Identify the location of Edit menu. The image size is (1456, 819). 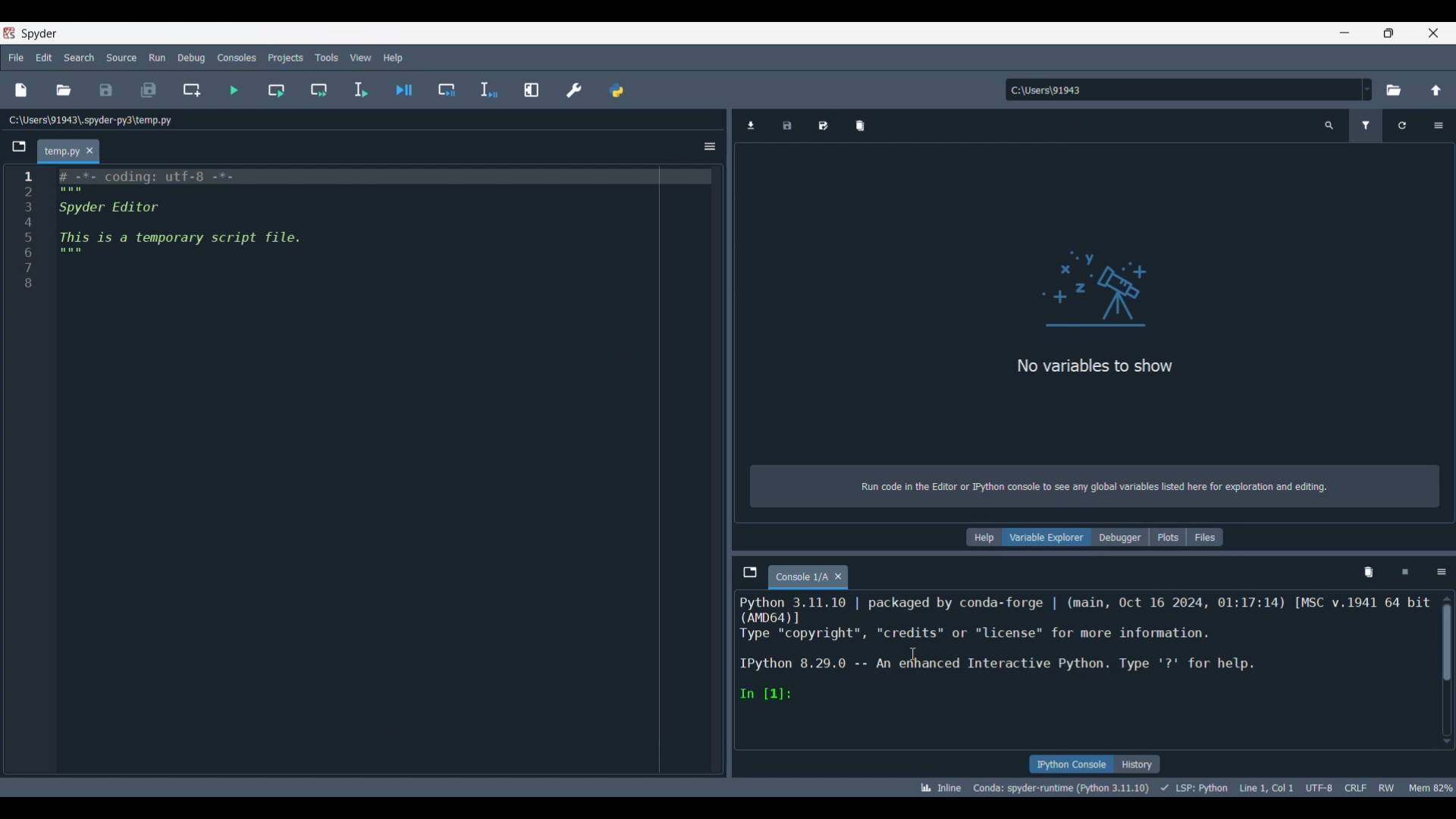
(44, 58).